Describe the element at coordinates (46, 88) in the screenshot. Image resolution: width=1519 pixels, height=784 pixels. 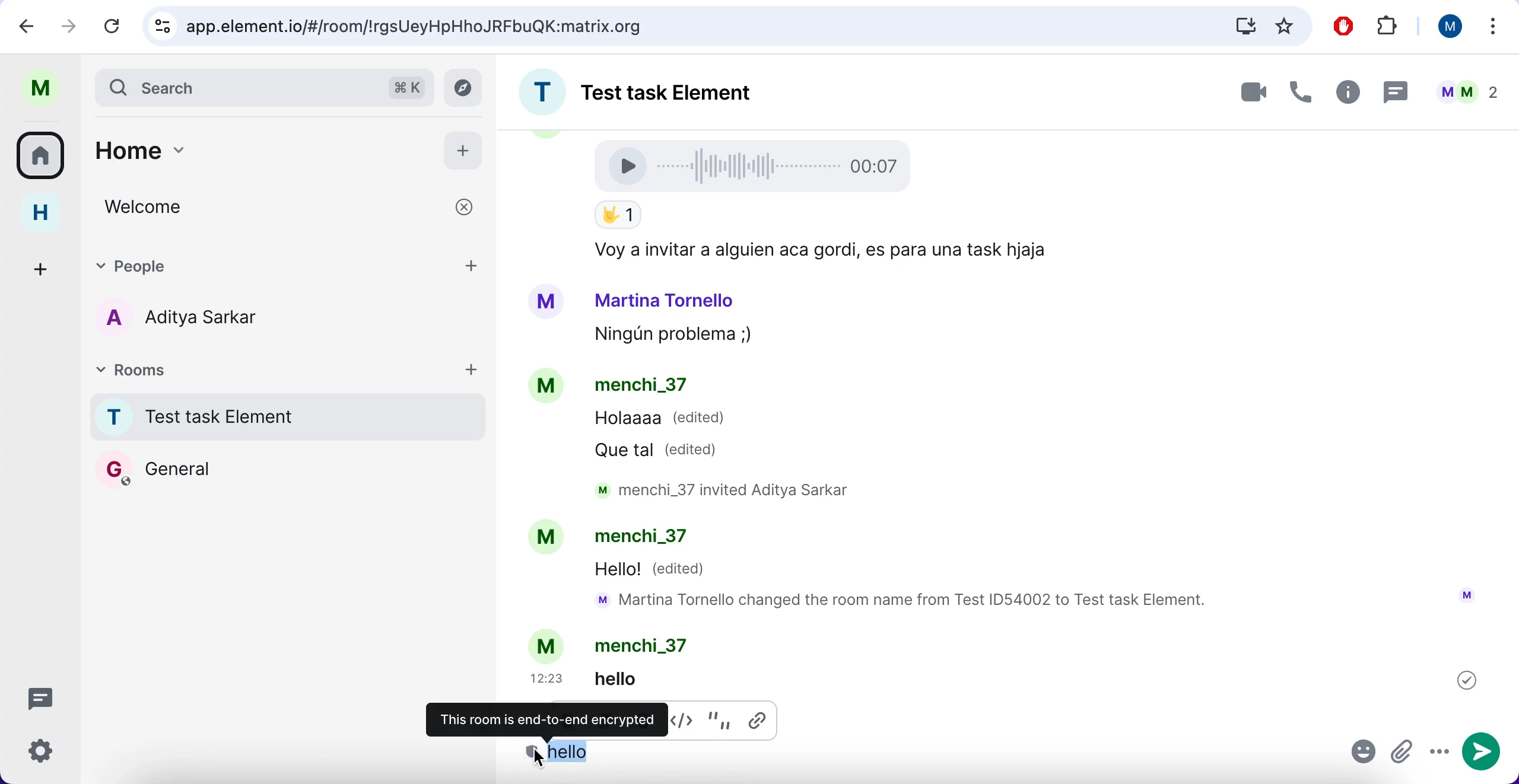
I see `user` at that location.